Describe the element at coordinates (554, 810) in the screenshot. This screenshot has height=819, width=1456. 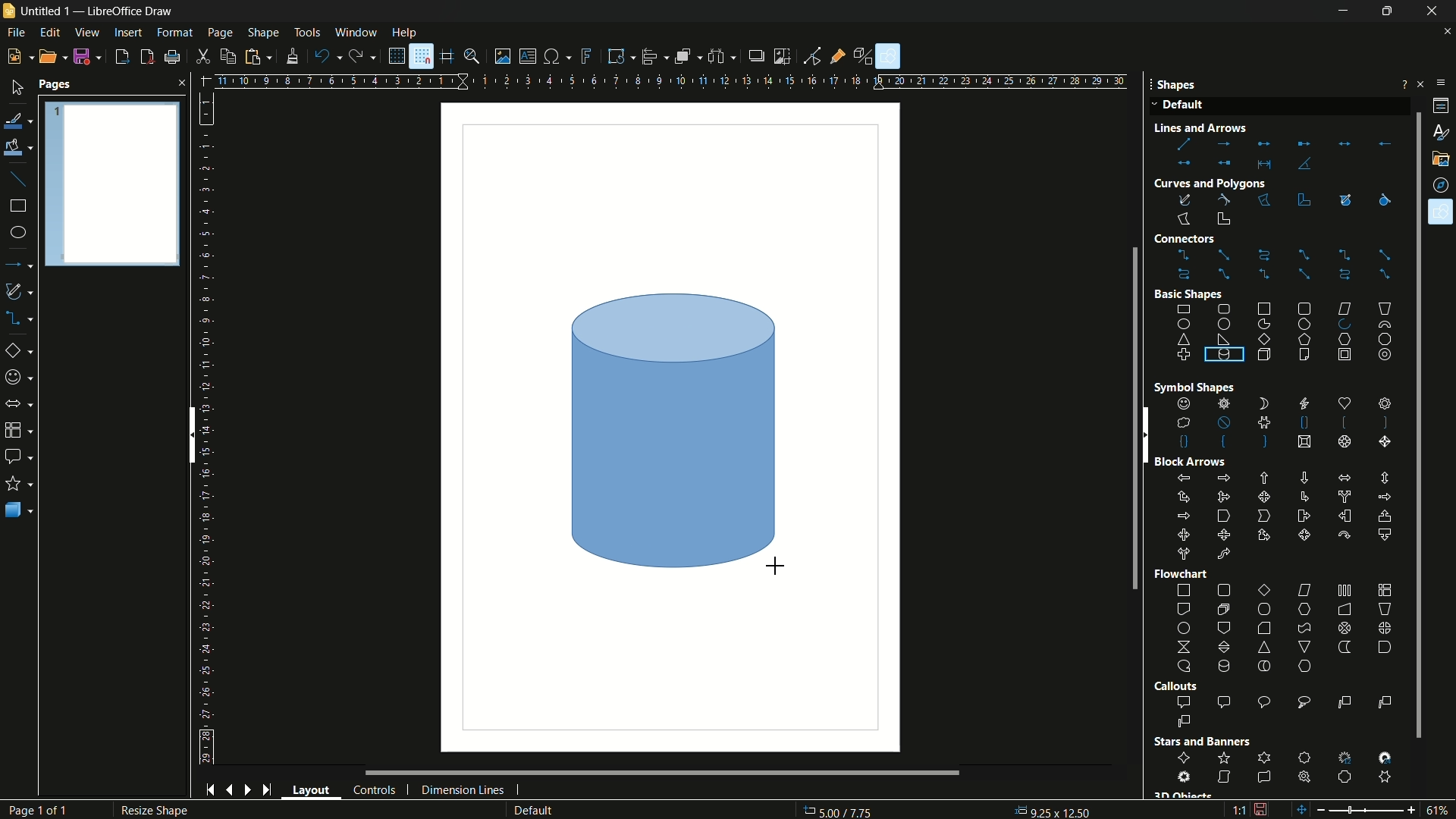
I see `default` at that location.